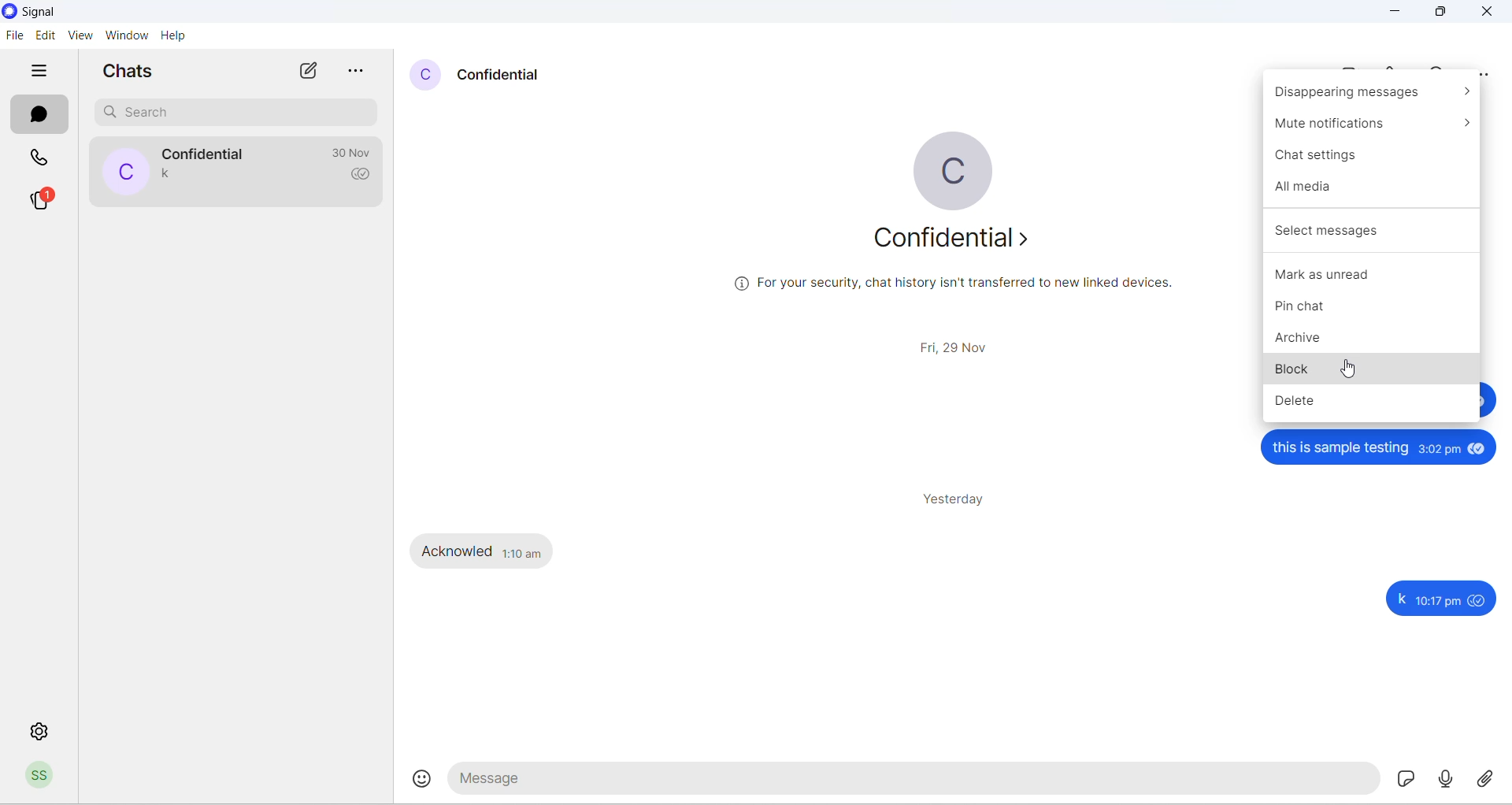 Image resolution: width=1512 pixels, height=805 pixels. I want to click on mark as unread, so click(1377, 276).